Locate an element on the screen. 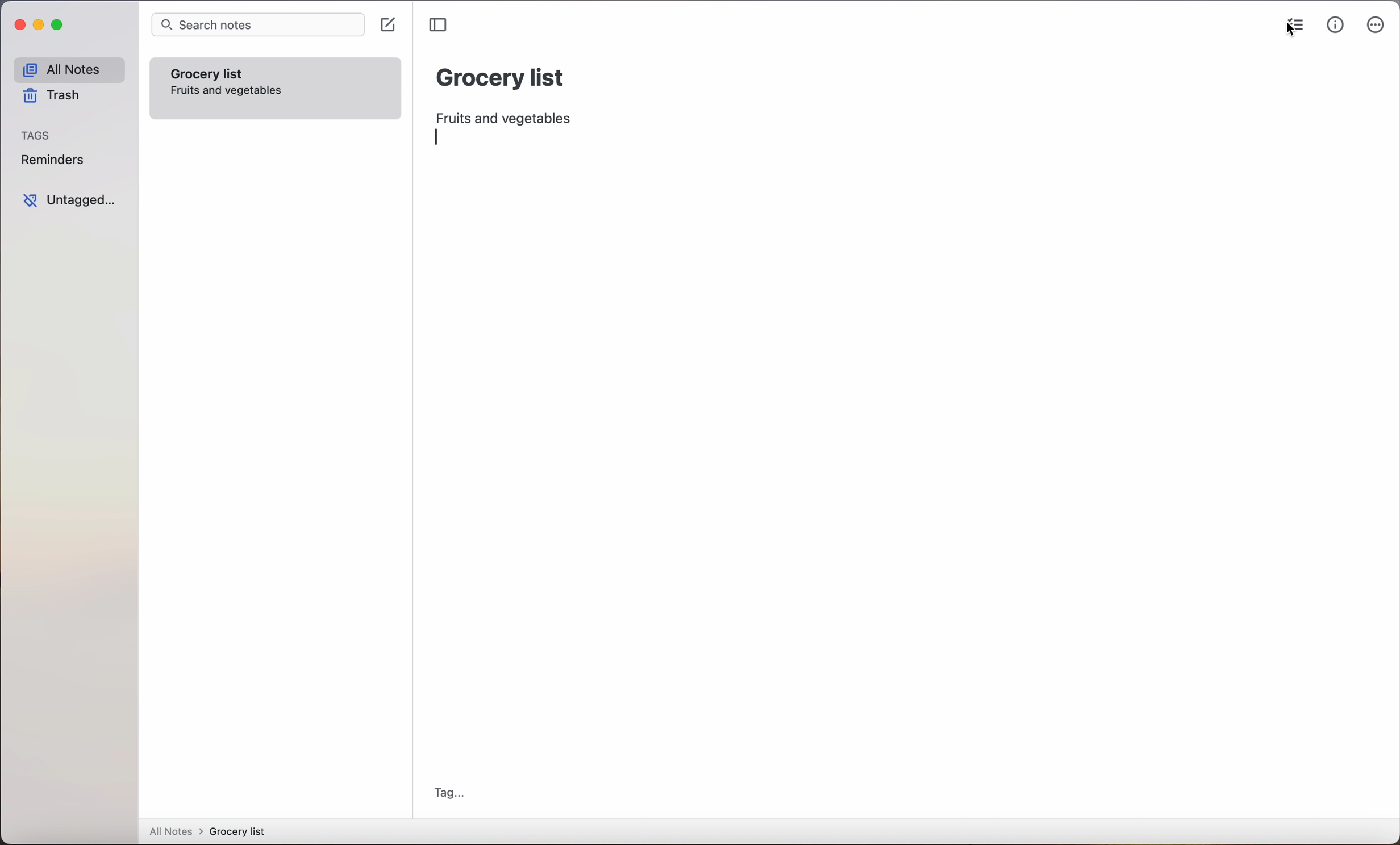 Image resolution: width=1400 pixels, height=845 pixels. reminders is located at coordinates (52, 162).